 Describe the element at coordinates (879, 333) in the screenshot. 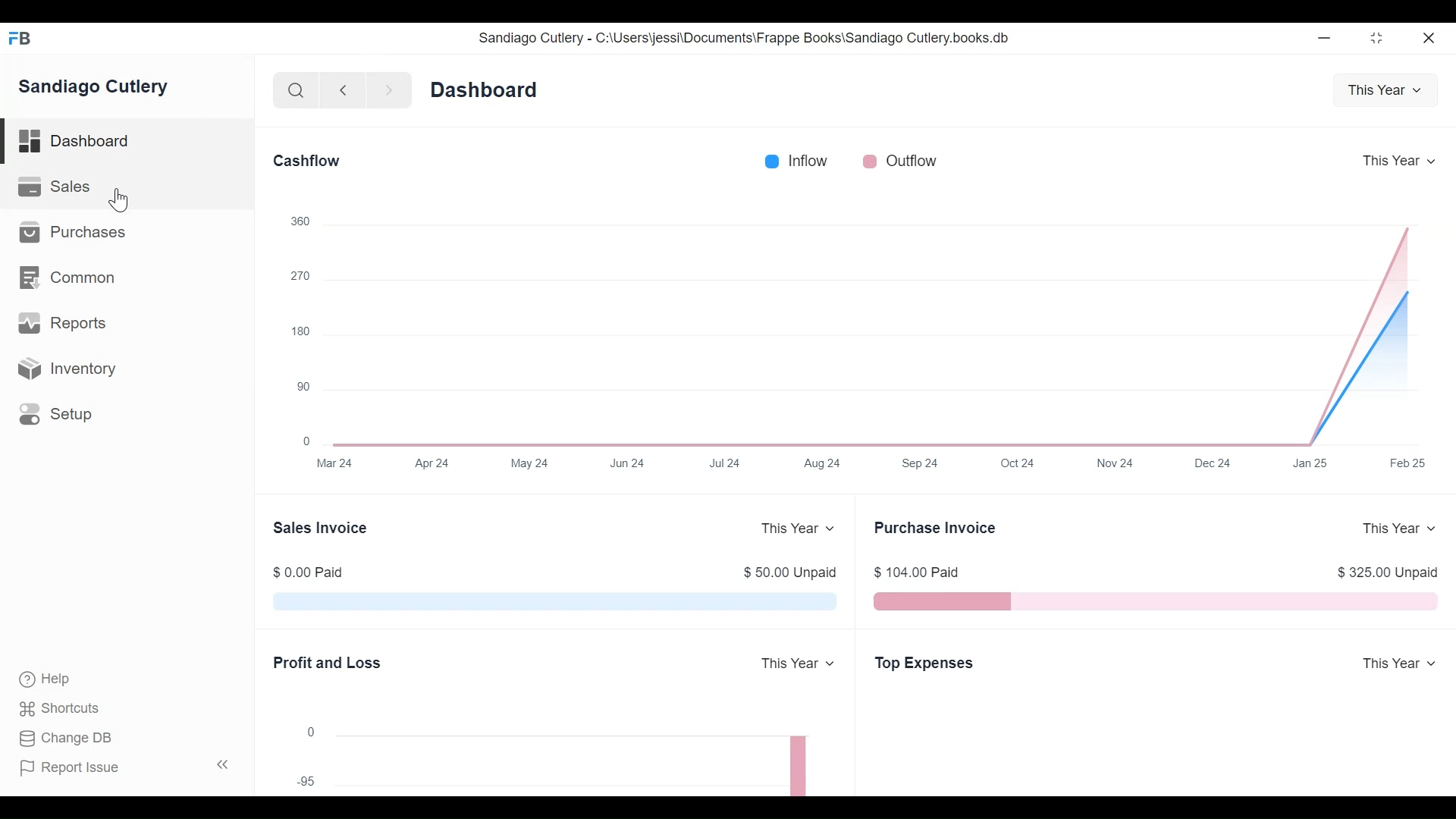

I see `The Cashflow chart shows the total amount of money being transferred into and out of Sandiago Cutlery company over a year` at that location.